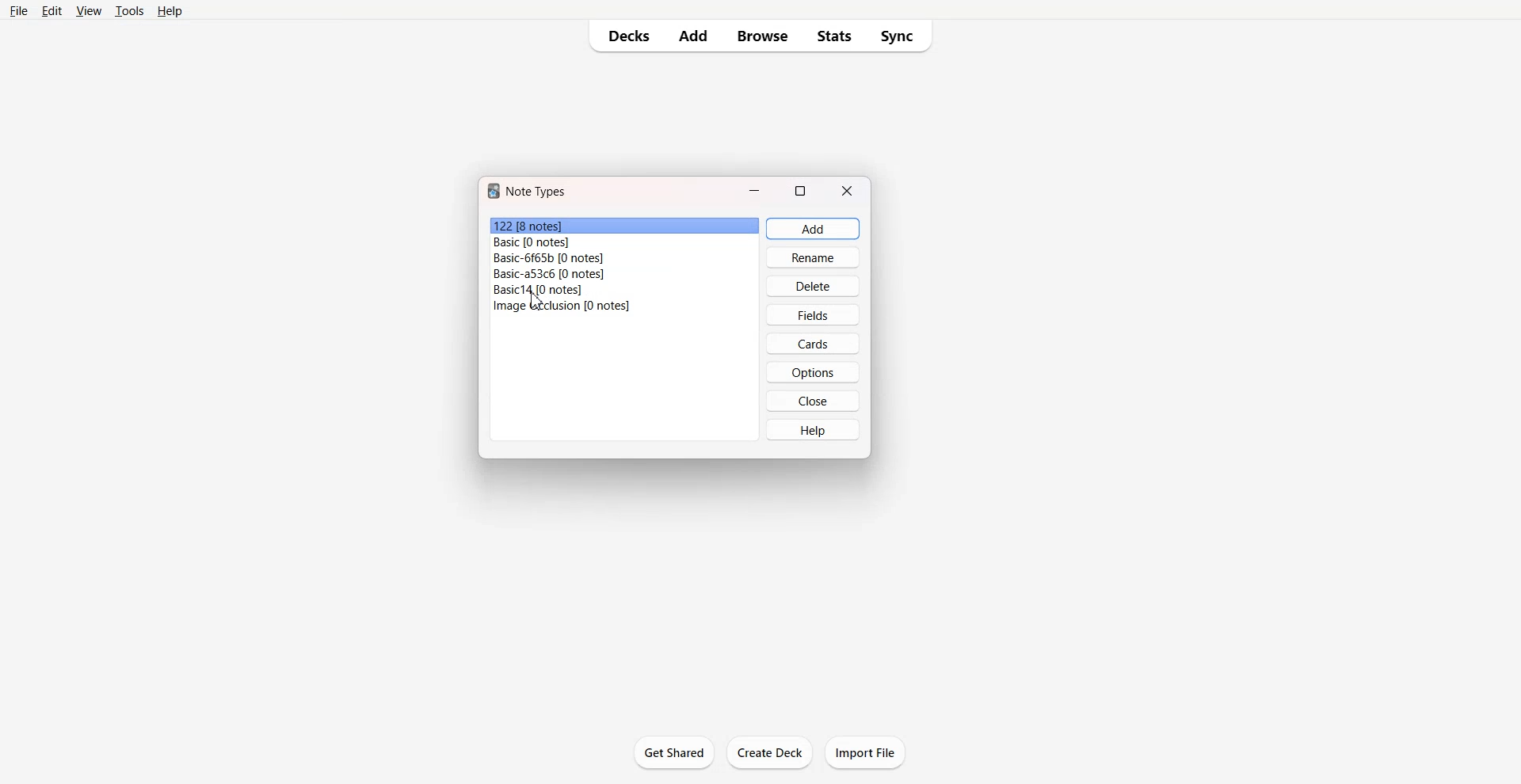 The width and height of the screenshot is (1521, 784). What do you see at coordinates (813, 343) in the screenshot?
I see `Cards` at bounding box center [813, 343].